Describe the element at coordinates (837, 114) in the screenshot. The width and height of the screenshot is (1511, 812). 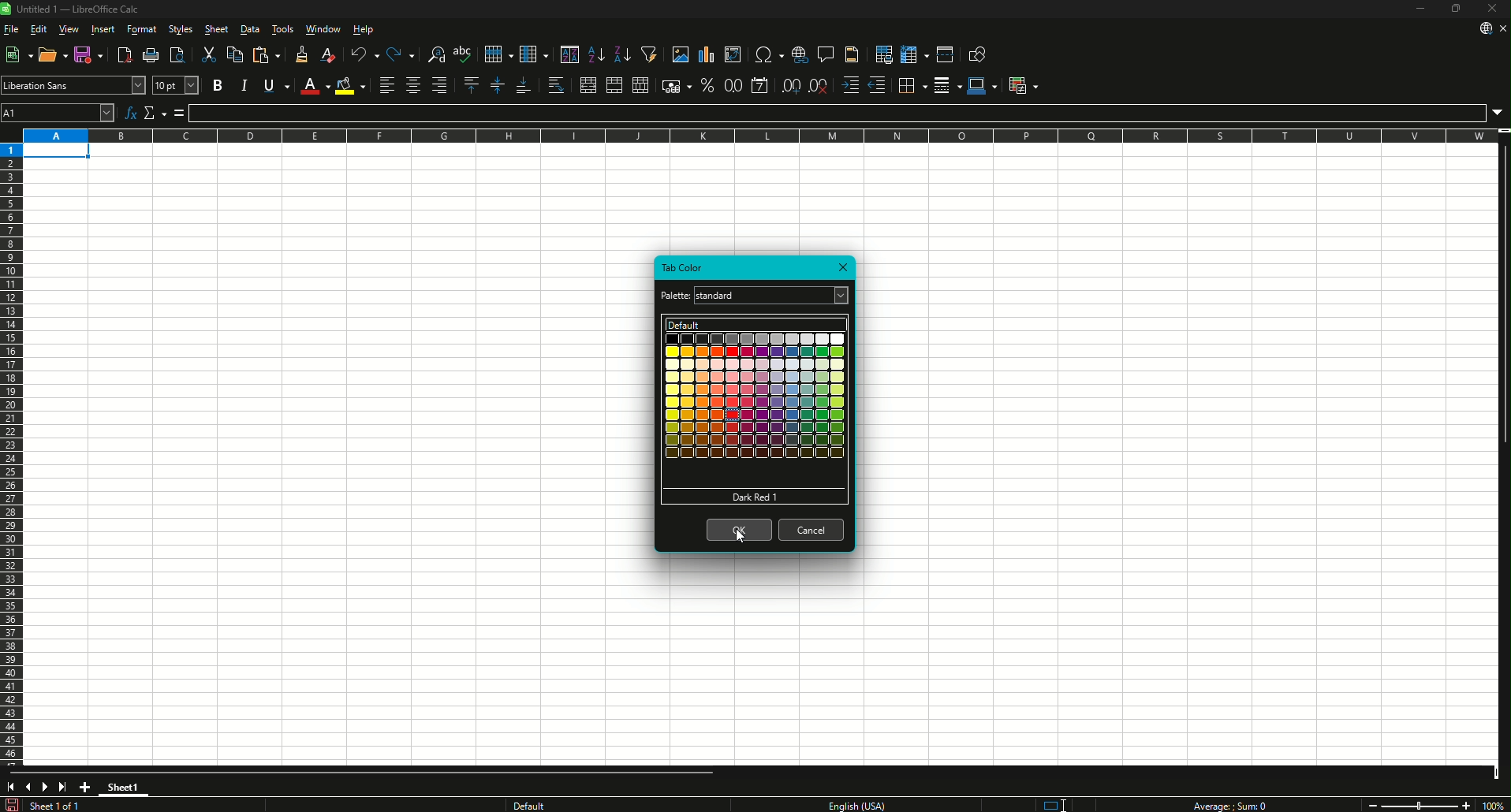
I see `Formula` at that location.